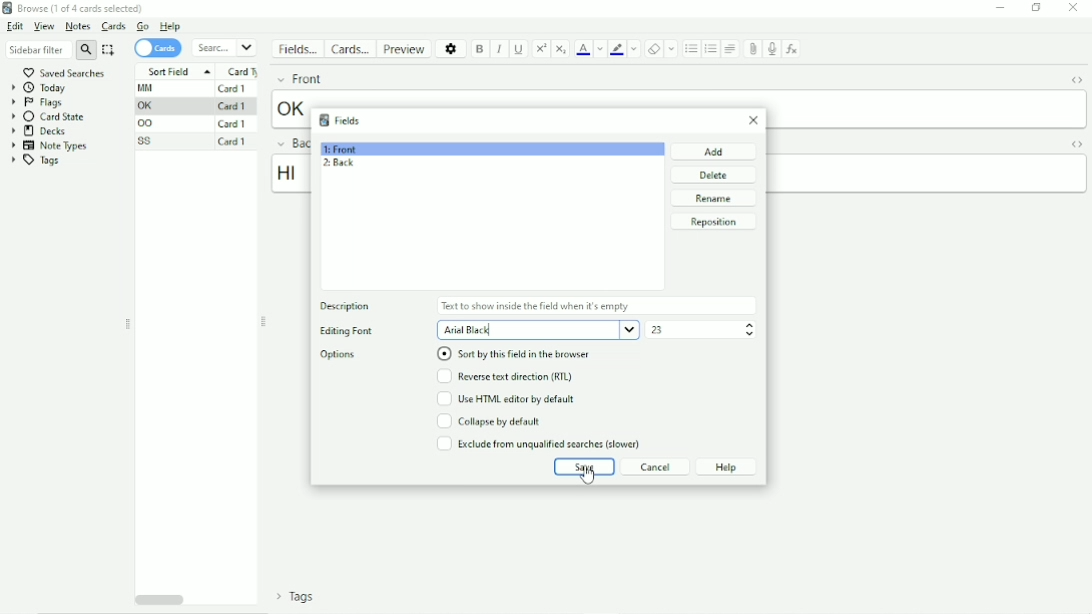 This screenshot has width=1092, height=614. I want to click on Ordered list, so click(711, 49).